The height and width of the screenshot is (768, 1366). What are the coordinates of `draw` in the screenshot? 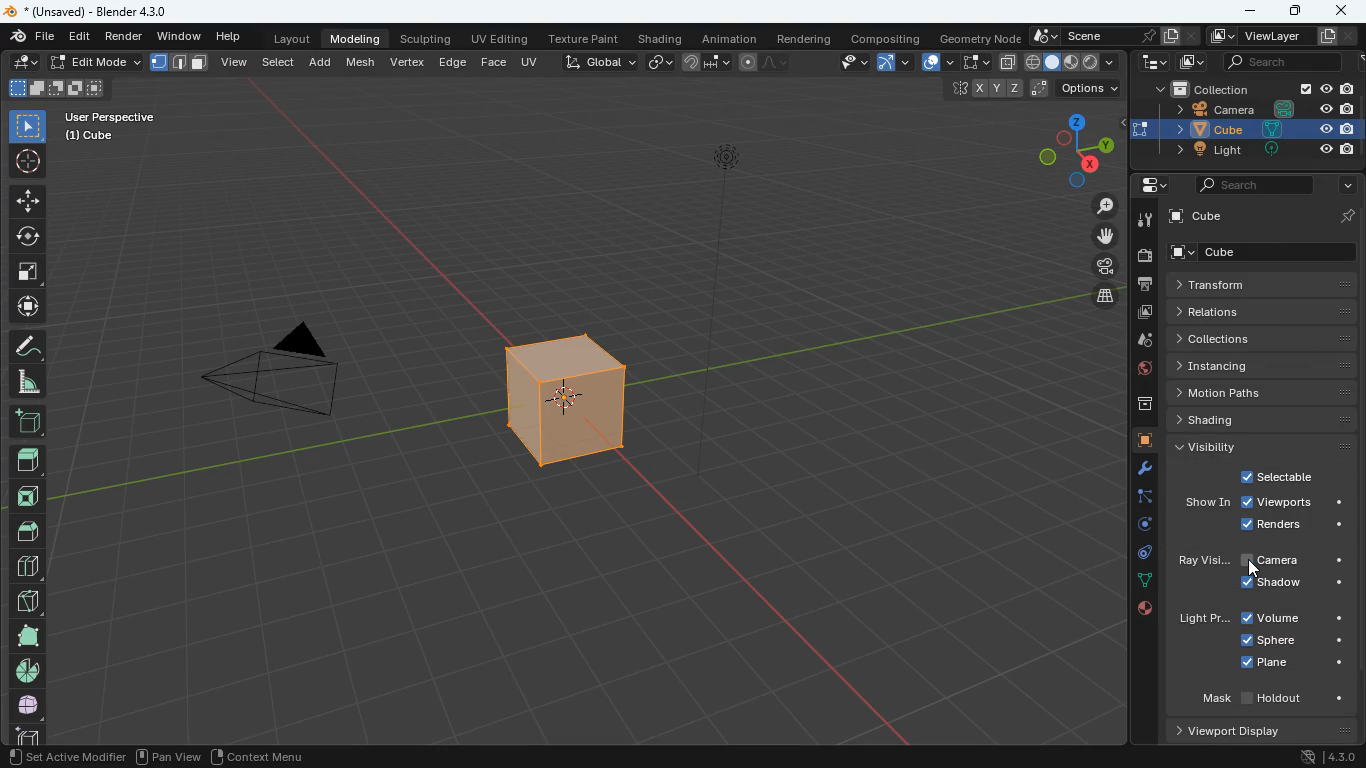 It's located at (29, 348).